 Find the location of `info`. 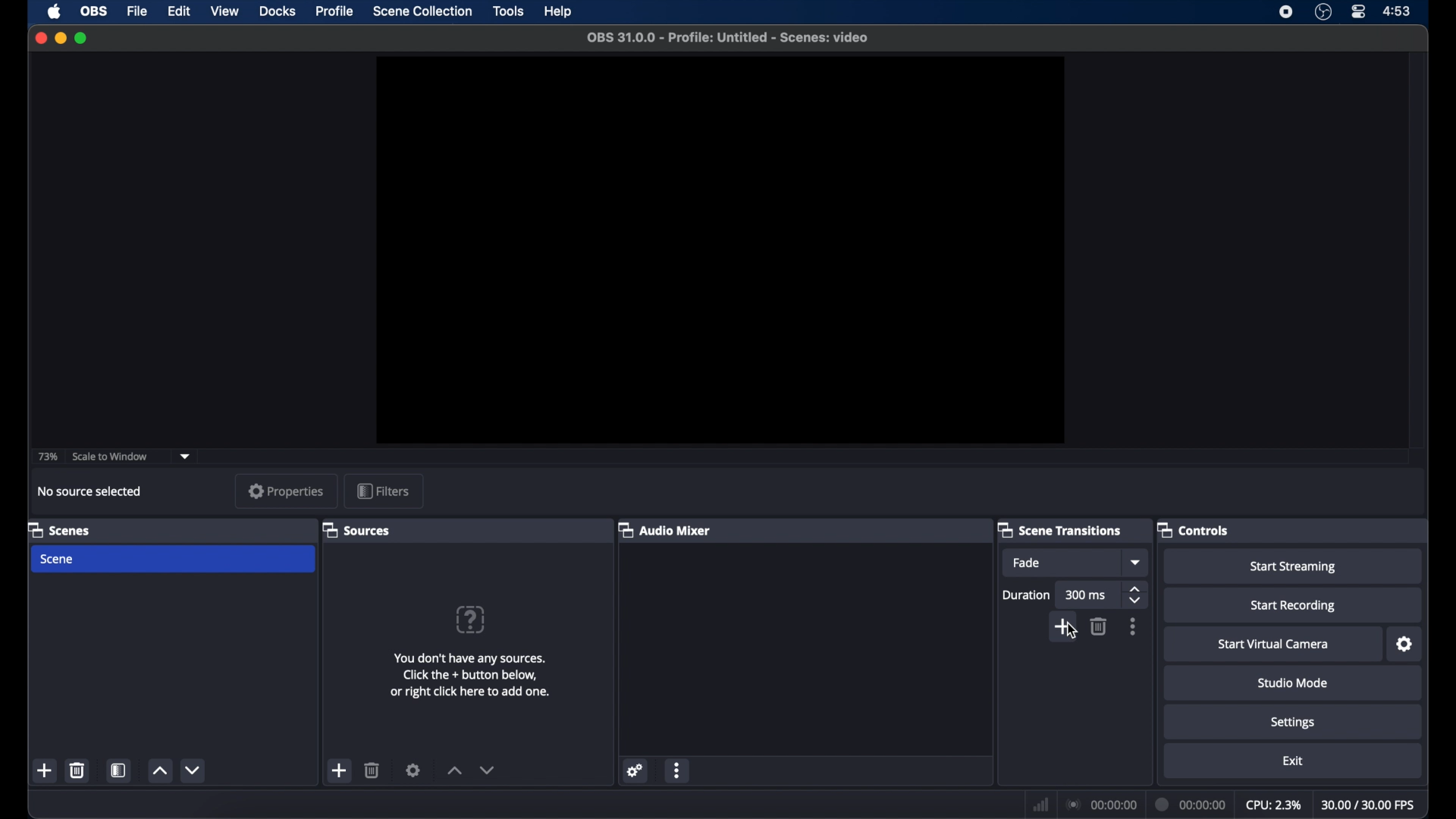

info is located at coordinates (472, 675).